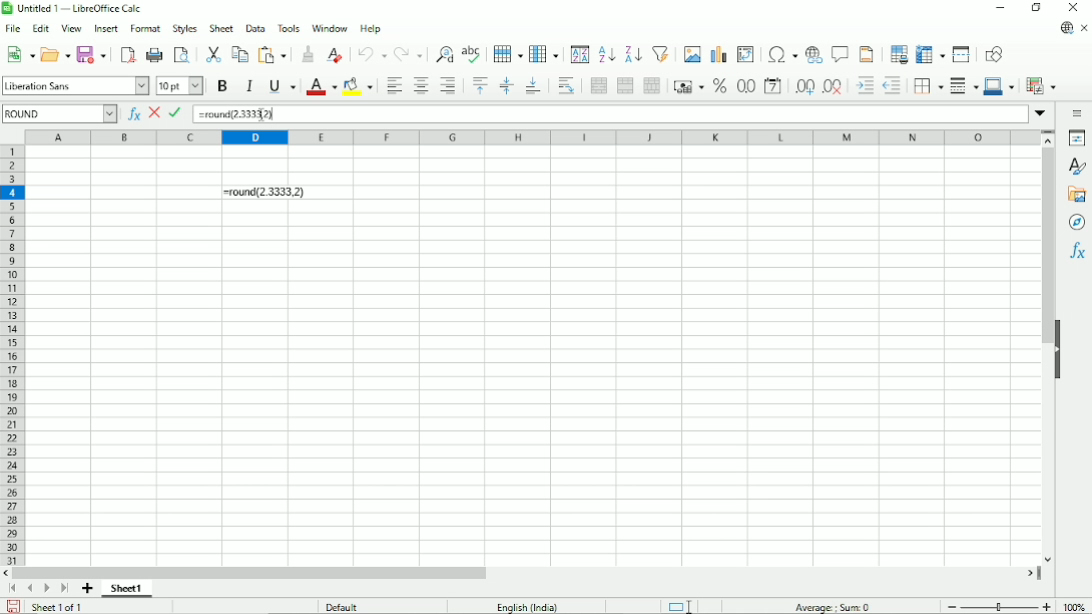 The width and height of the screenshot is (1092, 614). I want to click on Sort descending, so click(633, 54).